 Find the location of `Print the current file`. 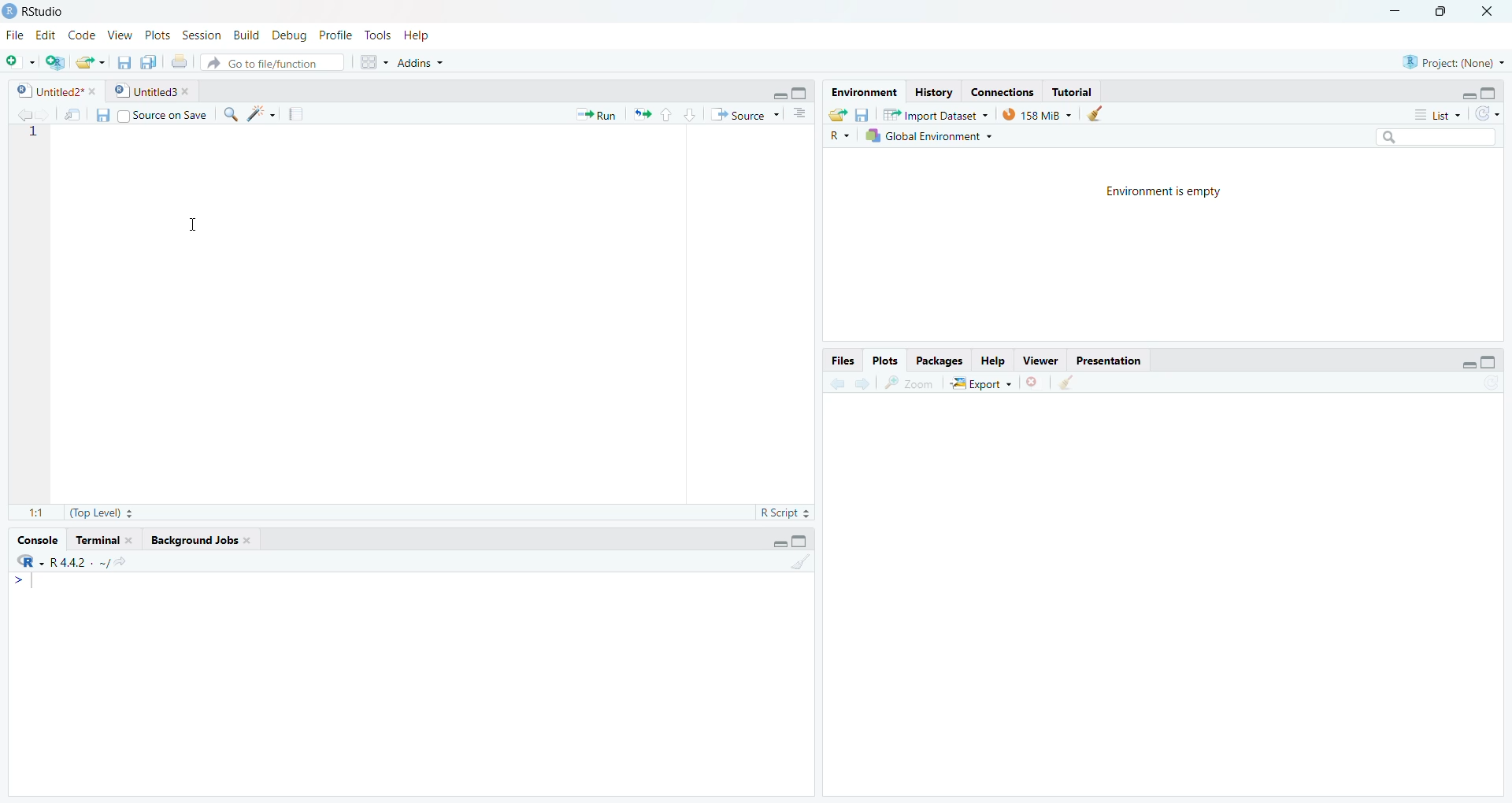

Print the current file is located at coordinates (178, 58).